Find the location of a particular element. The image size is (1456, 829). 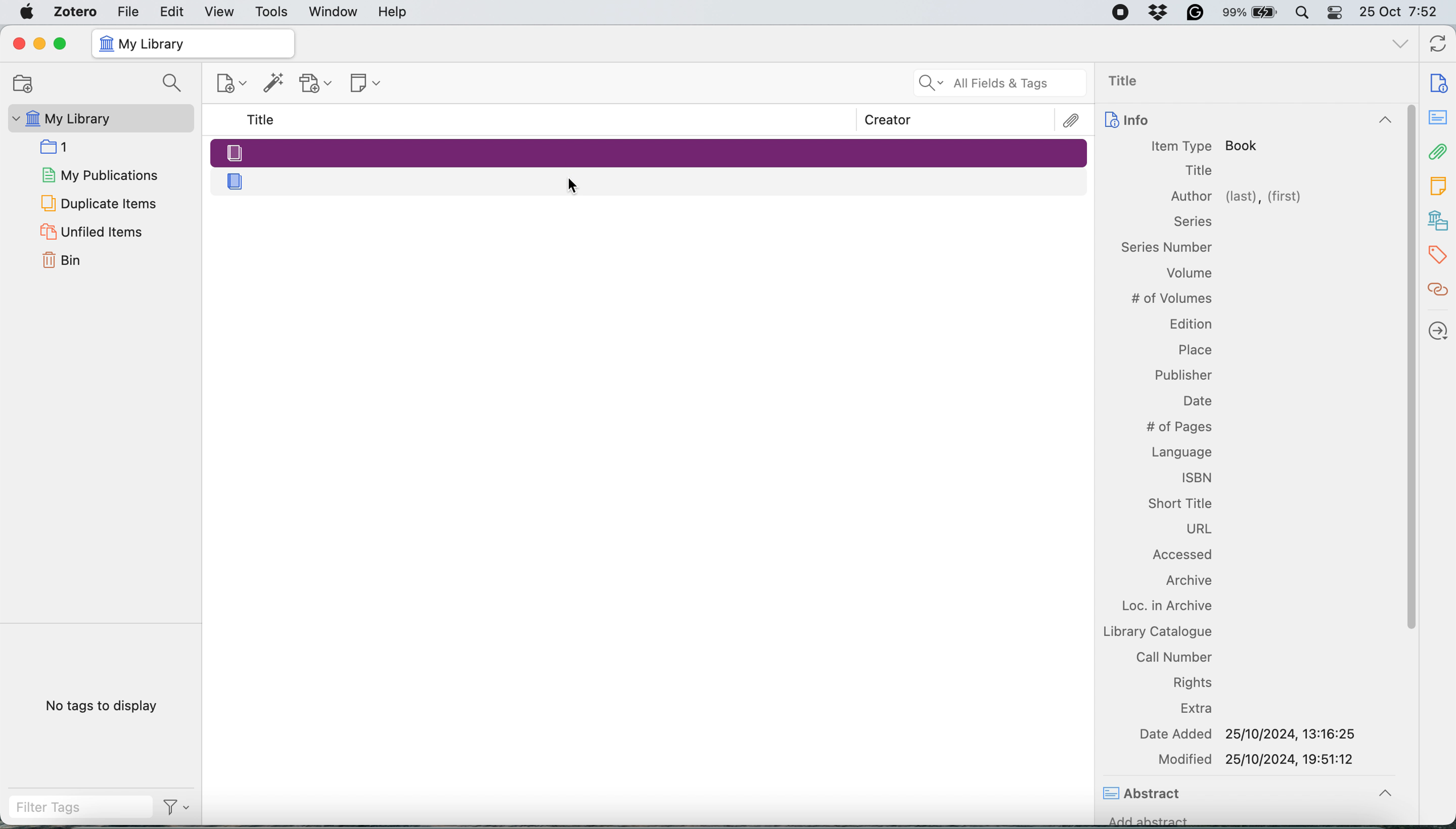

Notes is located at coordinates (1439, 183).